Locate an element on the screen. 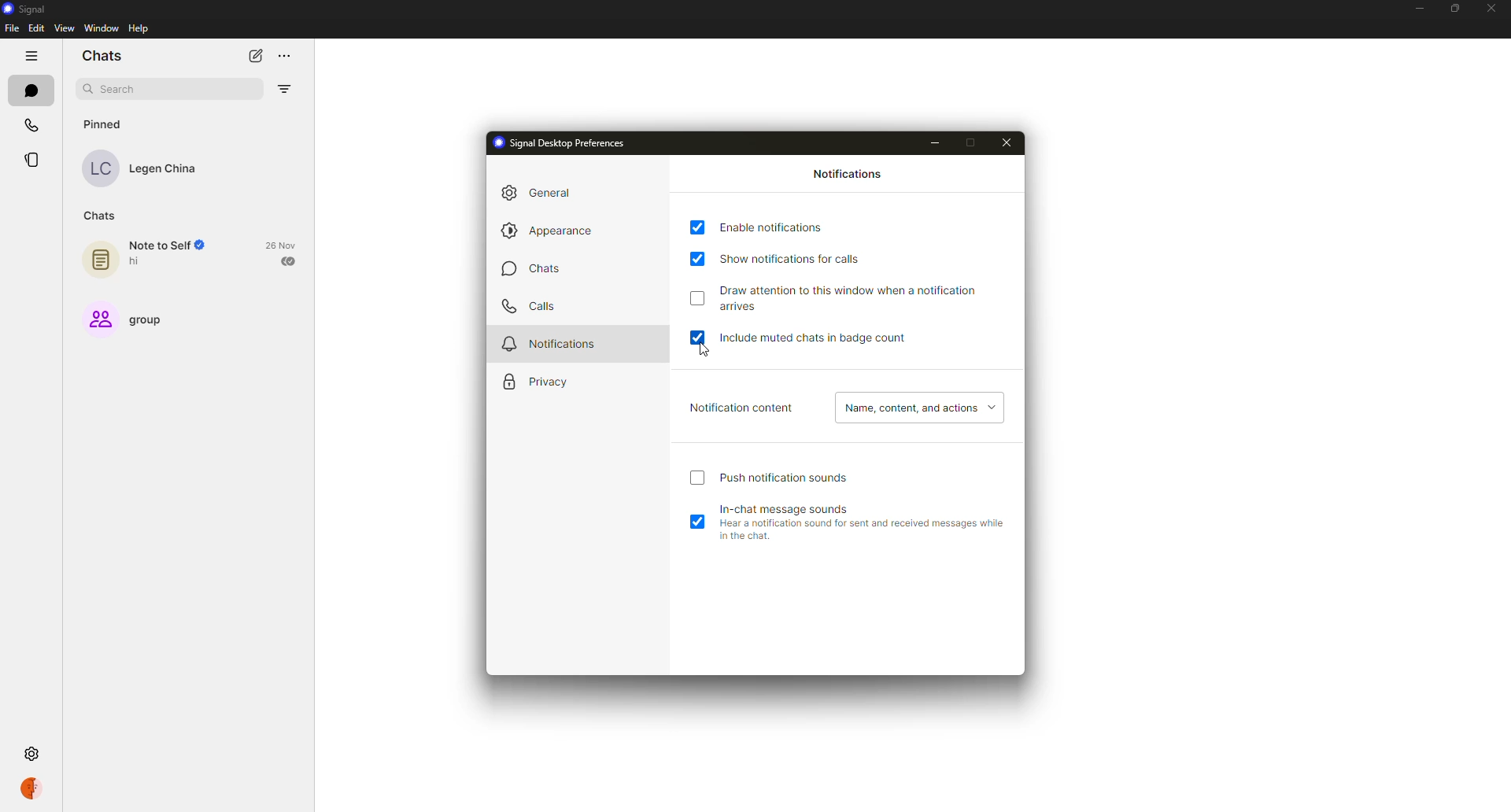 This screenshot has height=812, width=1511. Legen China is located at coordinates (164, 169).